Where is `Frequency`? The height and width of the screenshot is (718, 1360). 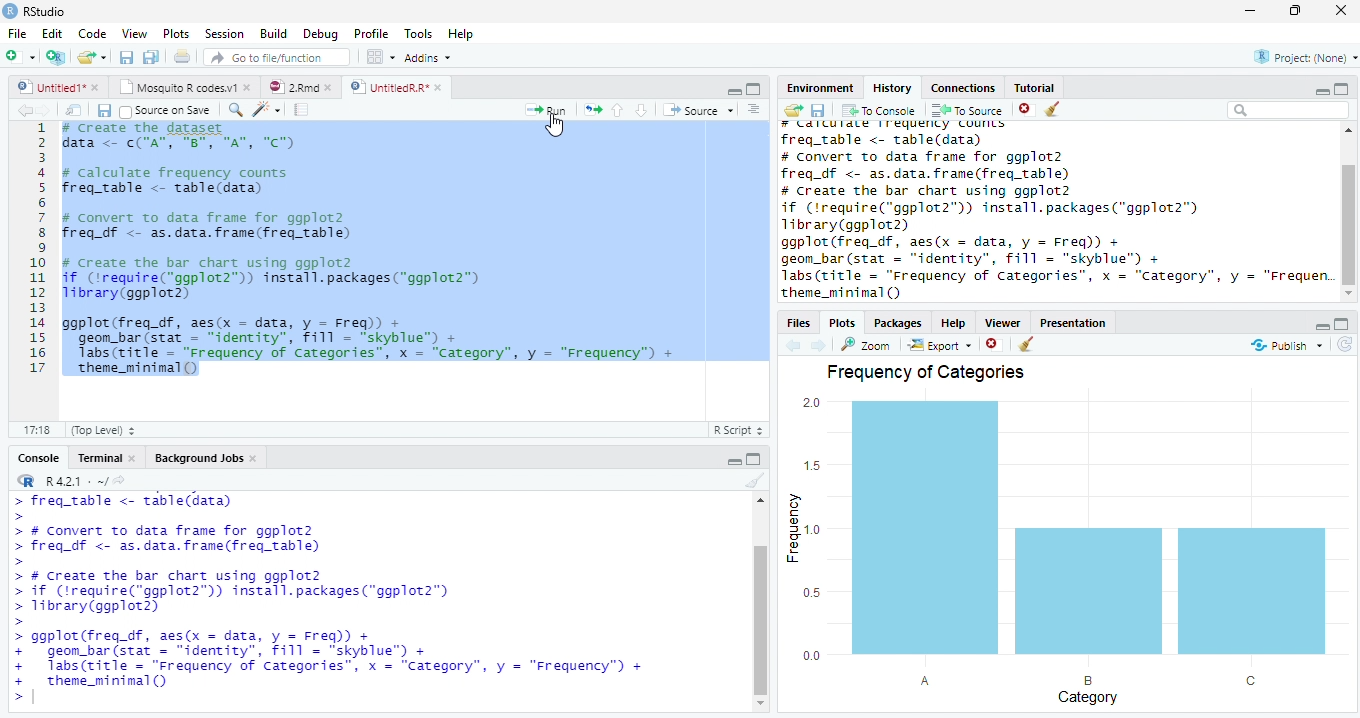
Frequency is located at coordinates (805, 528).